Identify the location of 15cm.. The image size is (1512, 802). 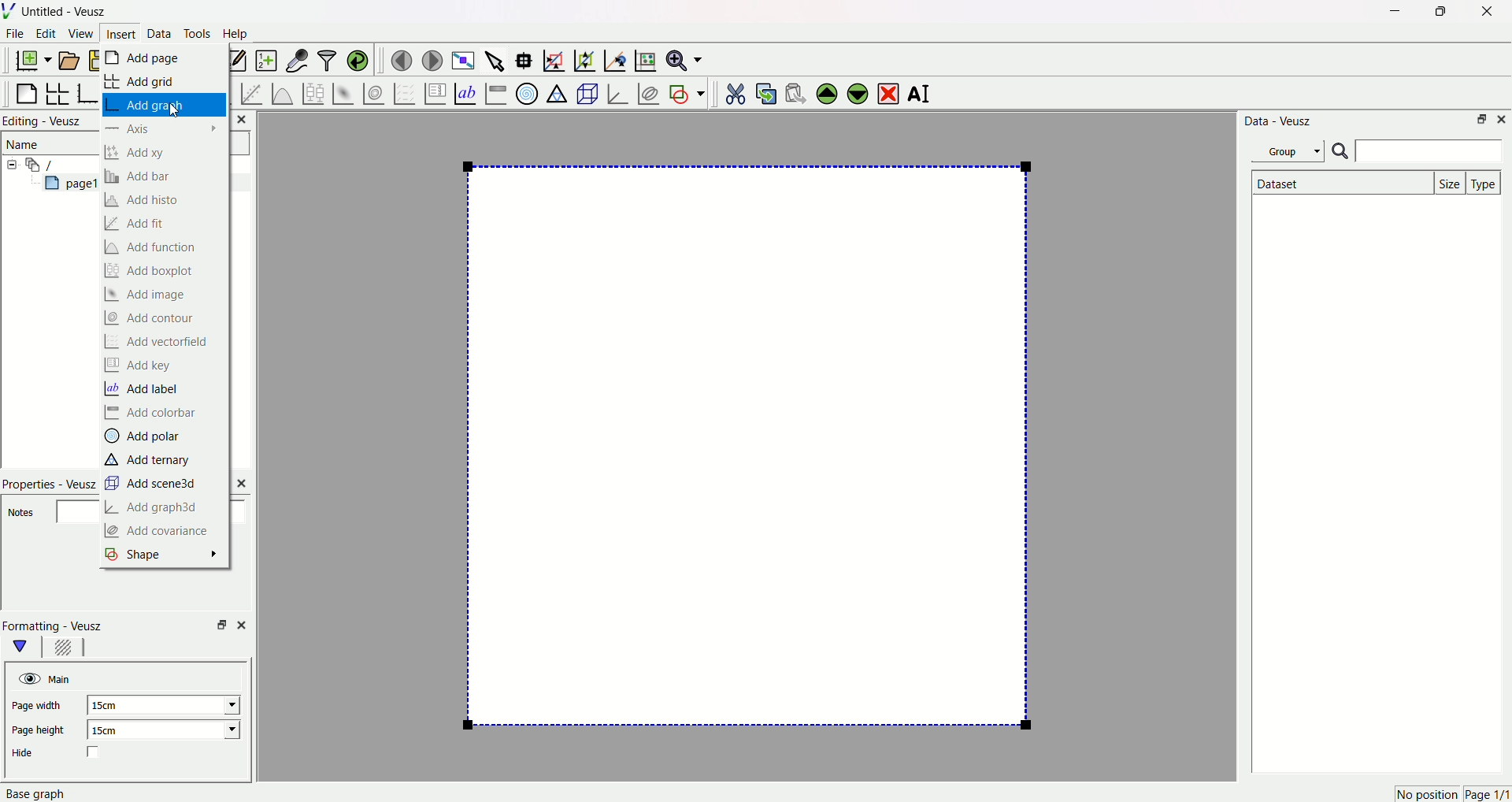
(164, 705).